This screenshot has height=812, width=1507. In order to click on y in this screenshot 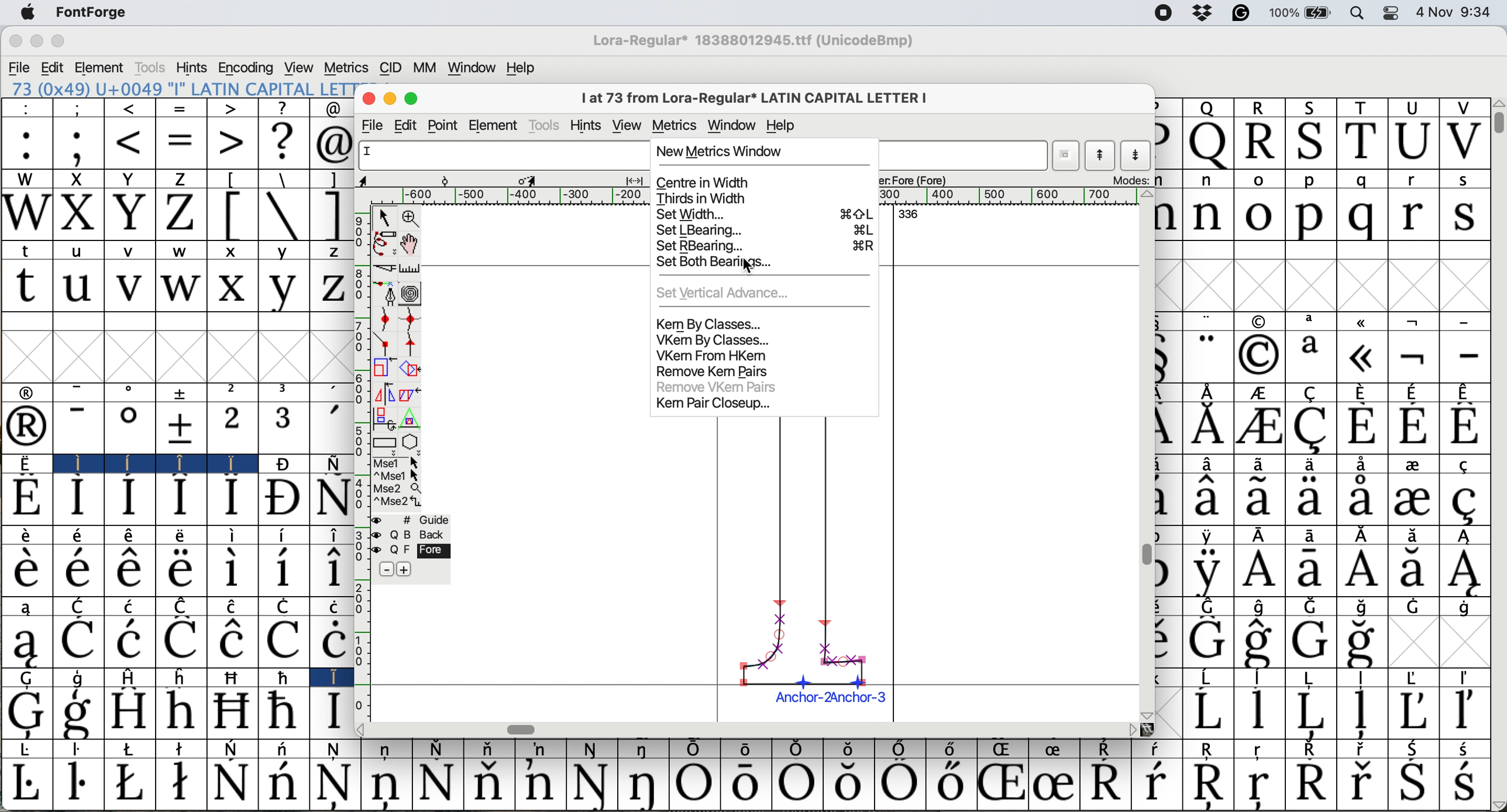, I will do `click(282, 288)`.